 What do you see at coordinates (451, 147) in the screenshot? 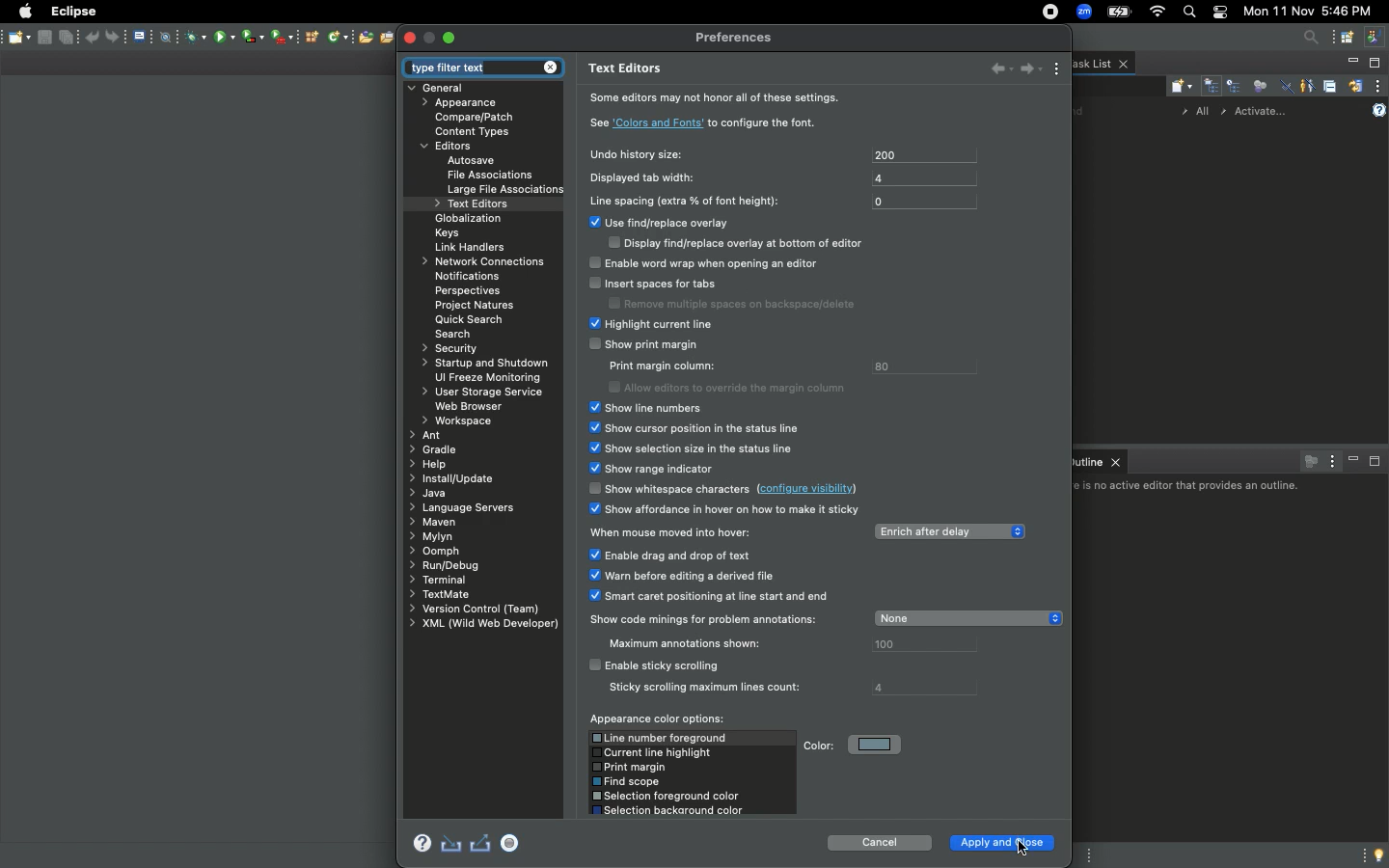
I see `Editors` at bounding box center [451, 147].